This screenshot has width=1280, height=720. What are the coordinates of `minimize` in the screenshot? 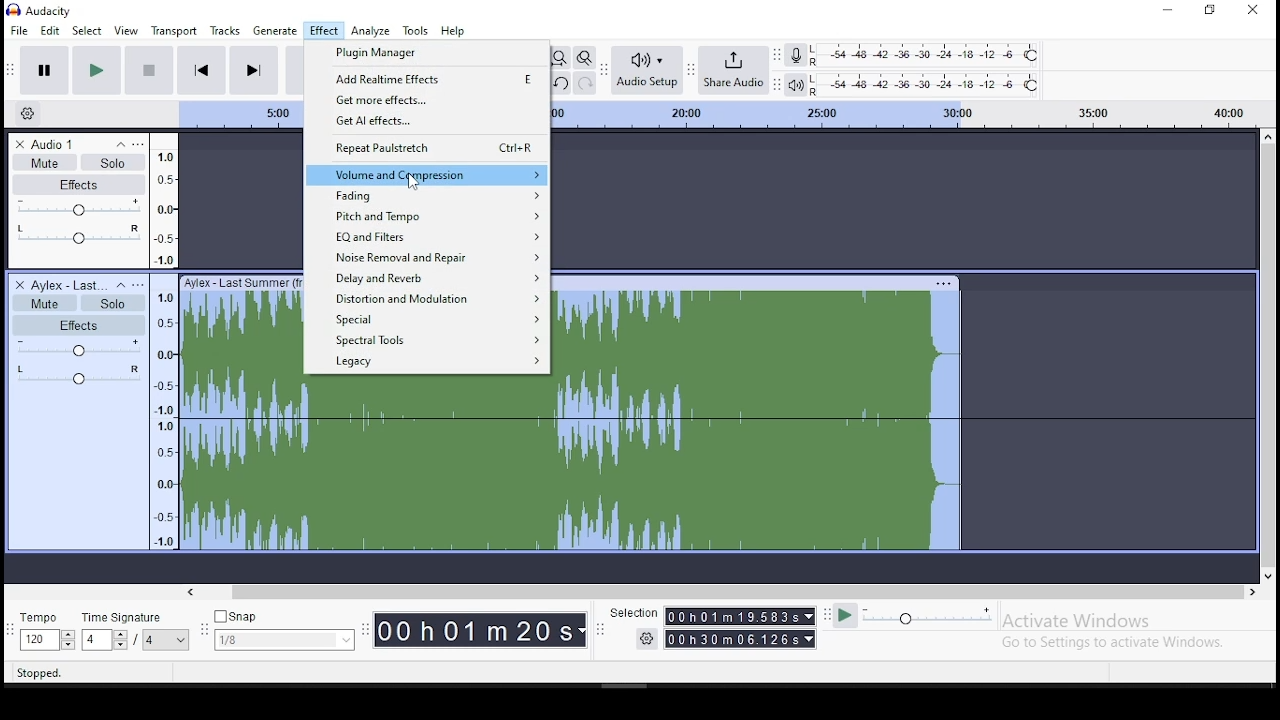 It's located at (1165, 10).